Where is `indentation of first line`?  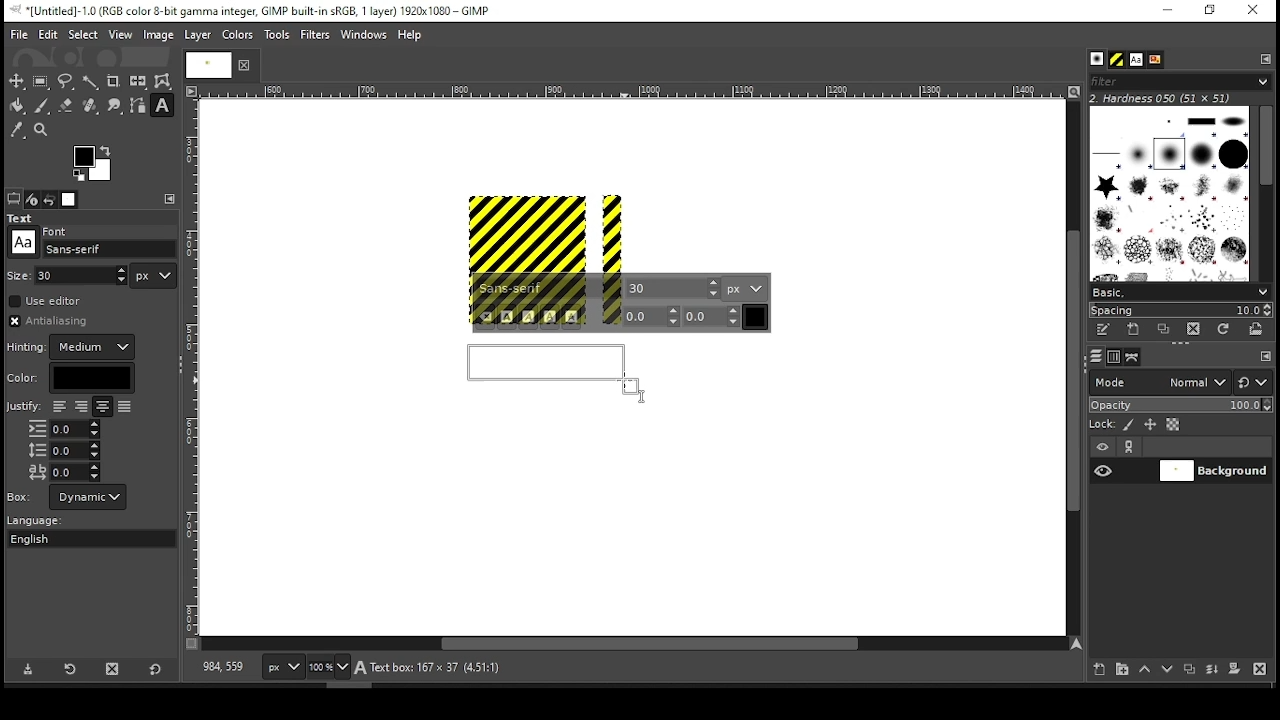
indentation of first line is located at coordinates (64, 429).